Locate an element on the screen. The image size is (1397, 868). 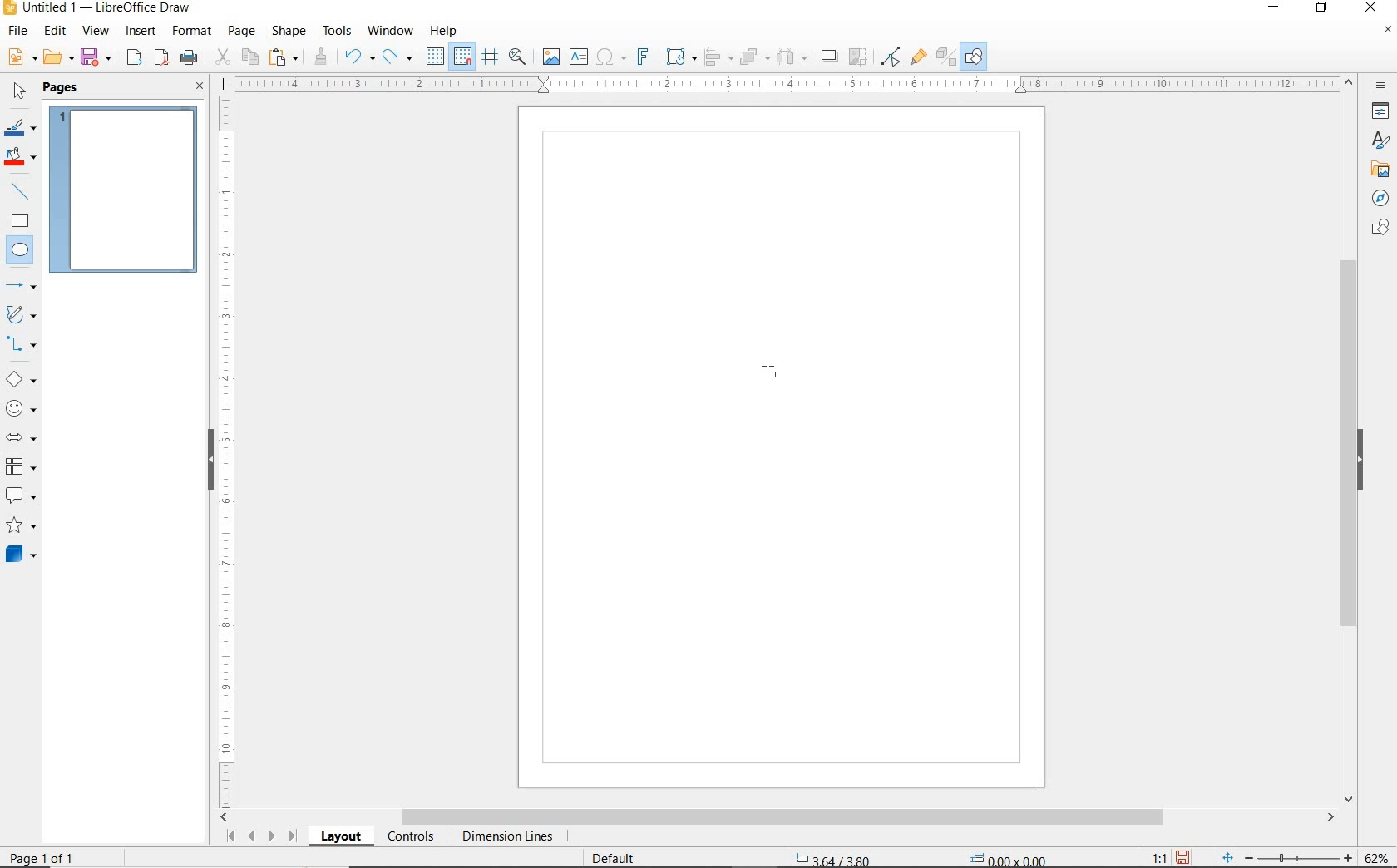
CURSOR is located at coordinates (36, 263).